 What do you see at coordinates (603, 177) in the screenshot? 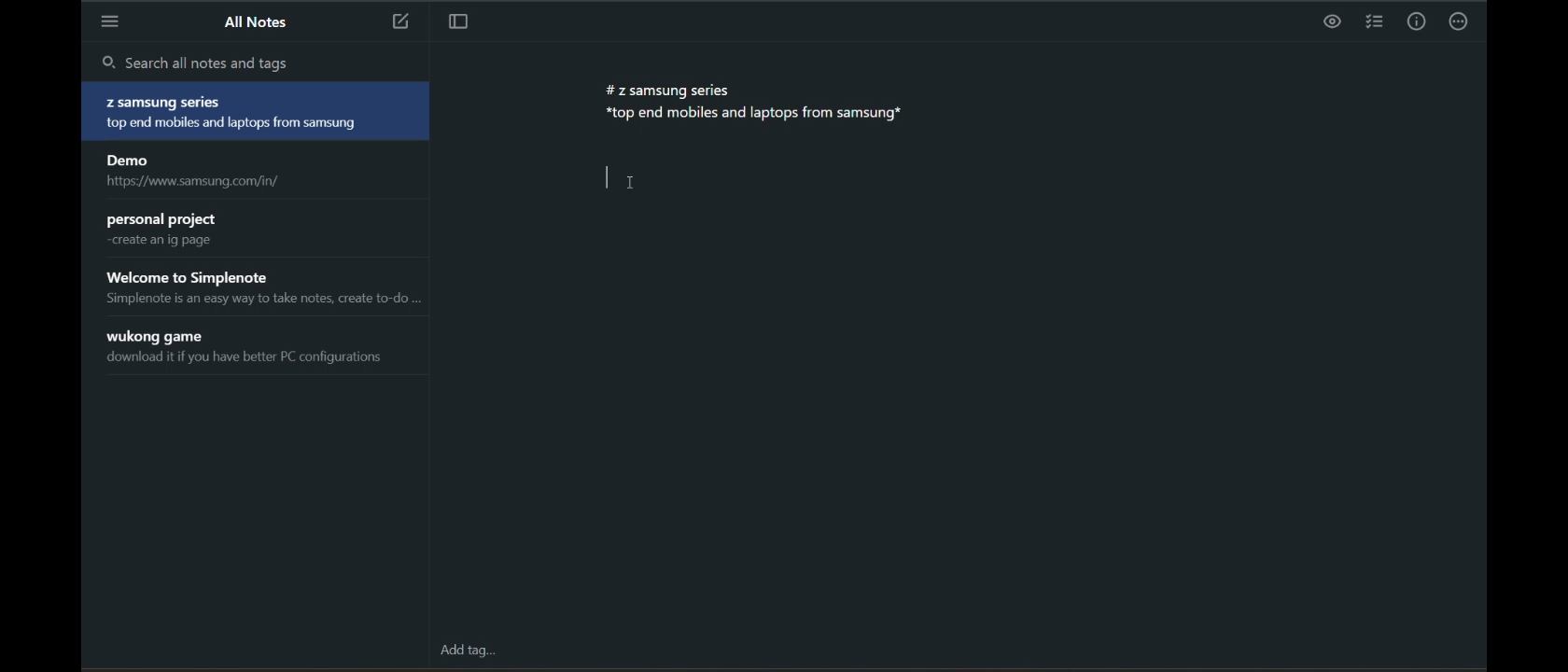
I see `text cursor` at bounding box center [603, 177].